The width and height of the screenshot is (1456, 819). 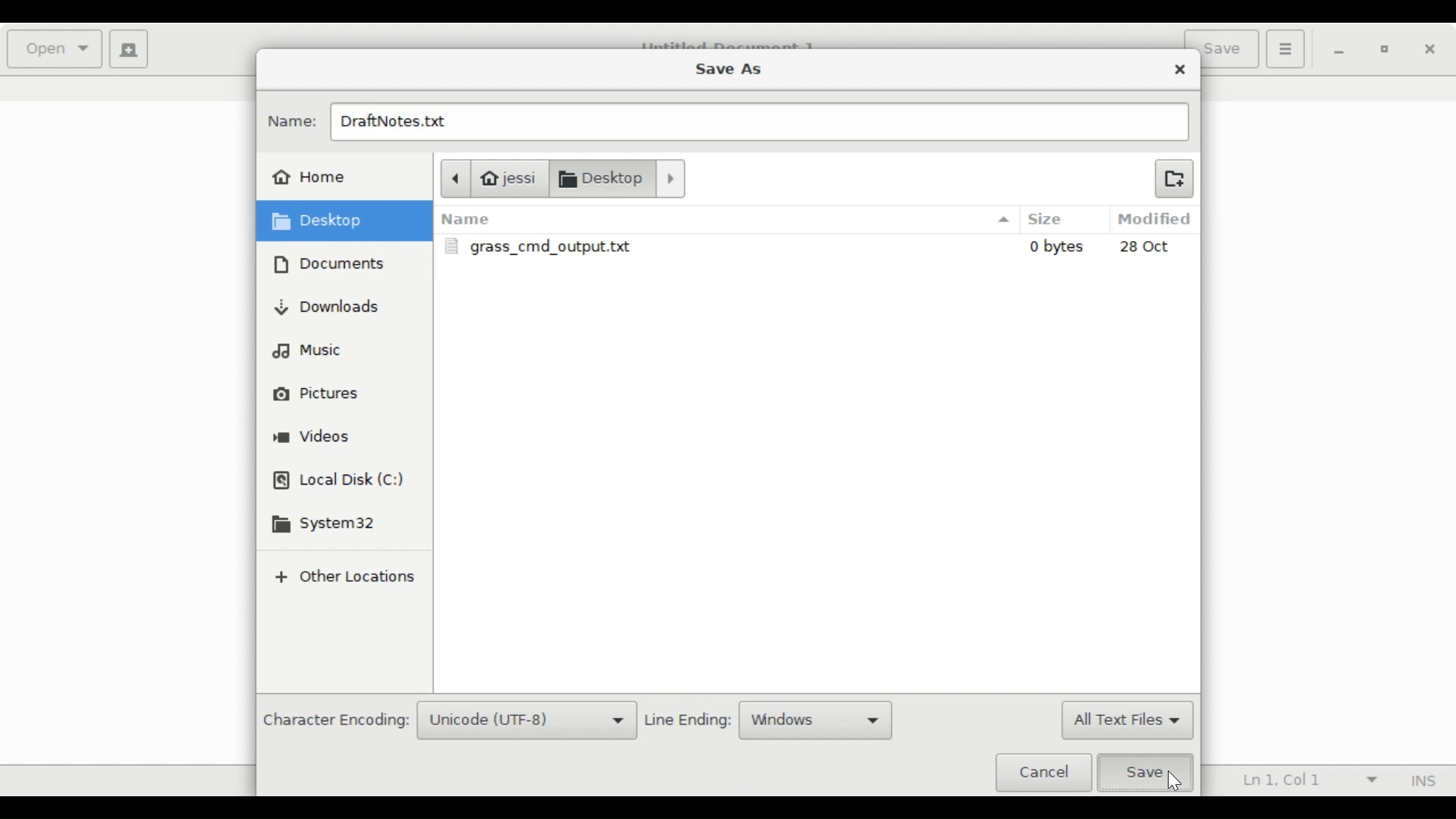 I want to click on grass_cmd_output.txt, so click(x=818, y=246).